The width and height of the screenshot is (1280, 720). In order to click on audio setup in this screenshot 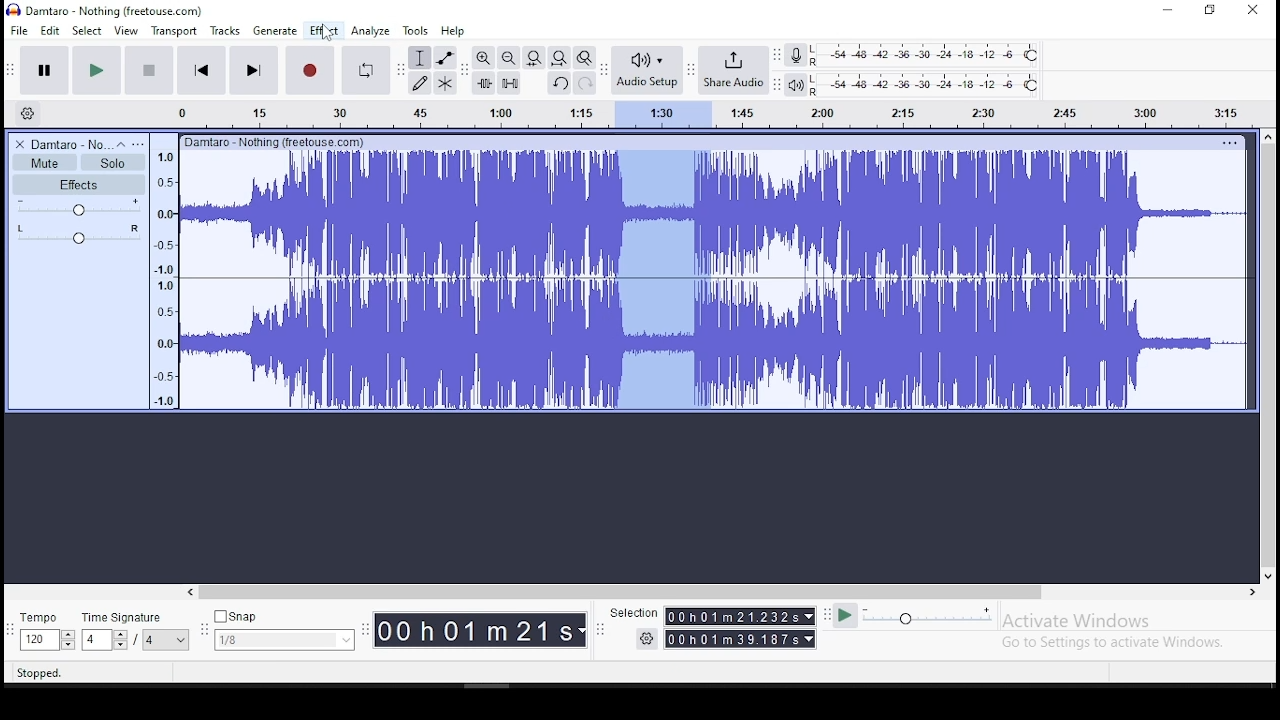, I will do `click(646, 68)`.